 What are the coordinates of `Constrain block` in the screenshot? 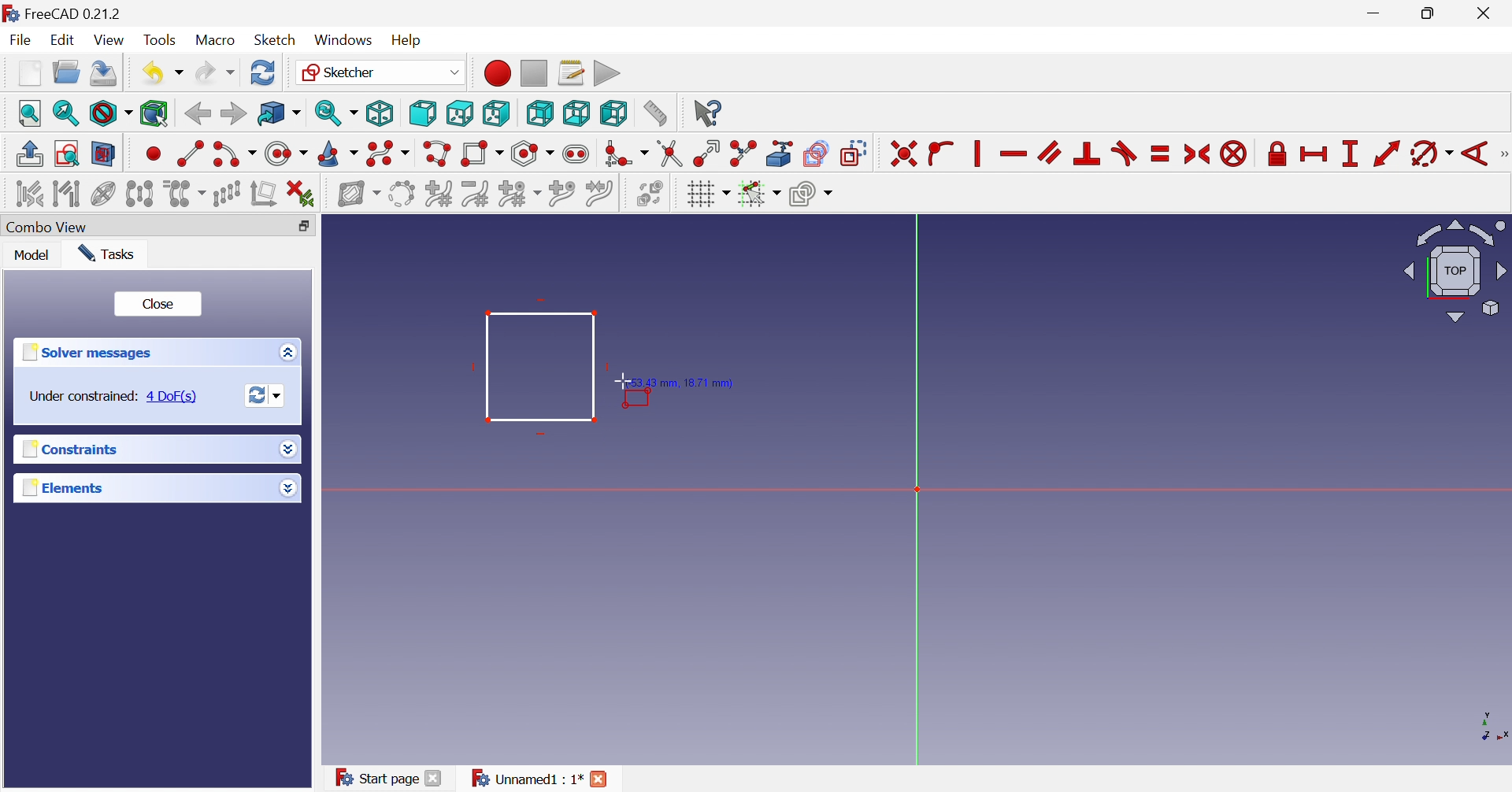 It's located at (1233, 154).